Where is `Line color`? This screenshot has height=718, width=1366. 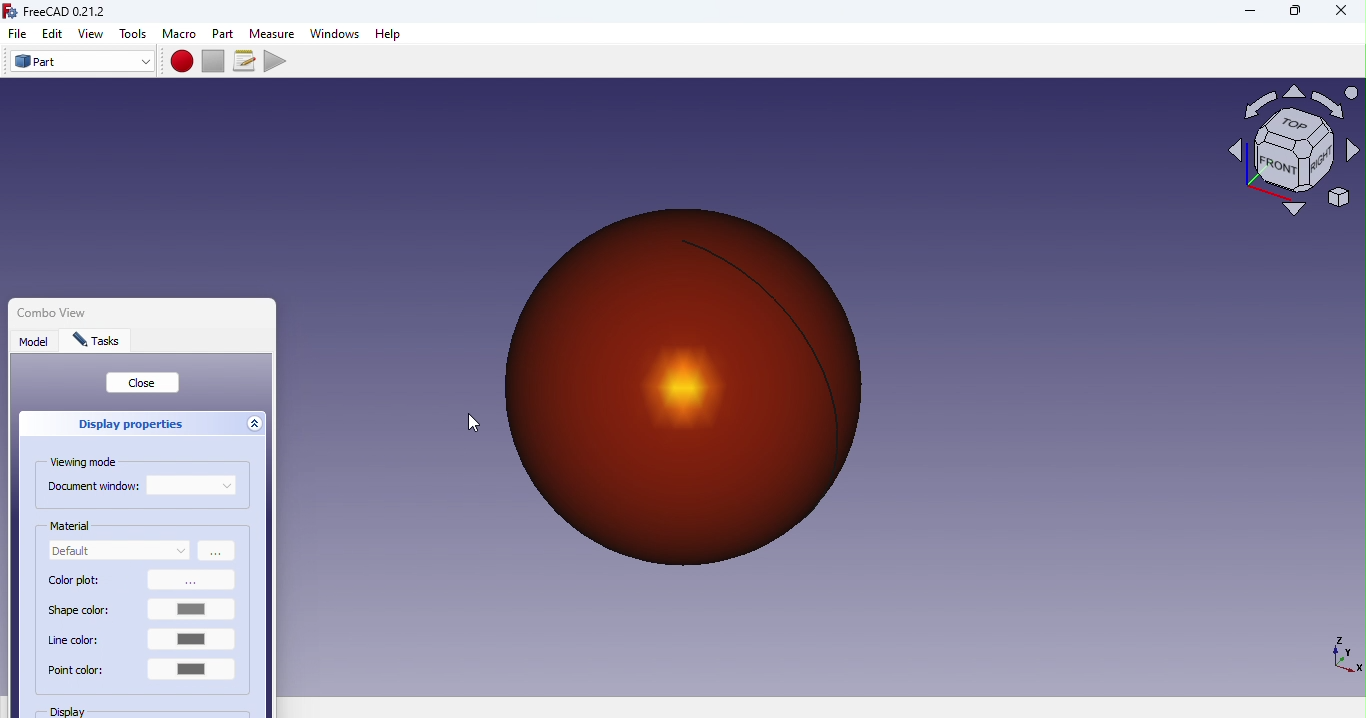 Line color is located at coordinates (143, 641).